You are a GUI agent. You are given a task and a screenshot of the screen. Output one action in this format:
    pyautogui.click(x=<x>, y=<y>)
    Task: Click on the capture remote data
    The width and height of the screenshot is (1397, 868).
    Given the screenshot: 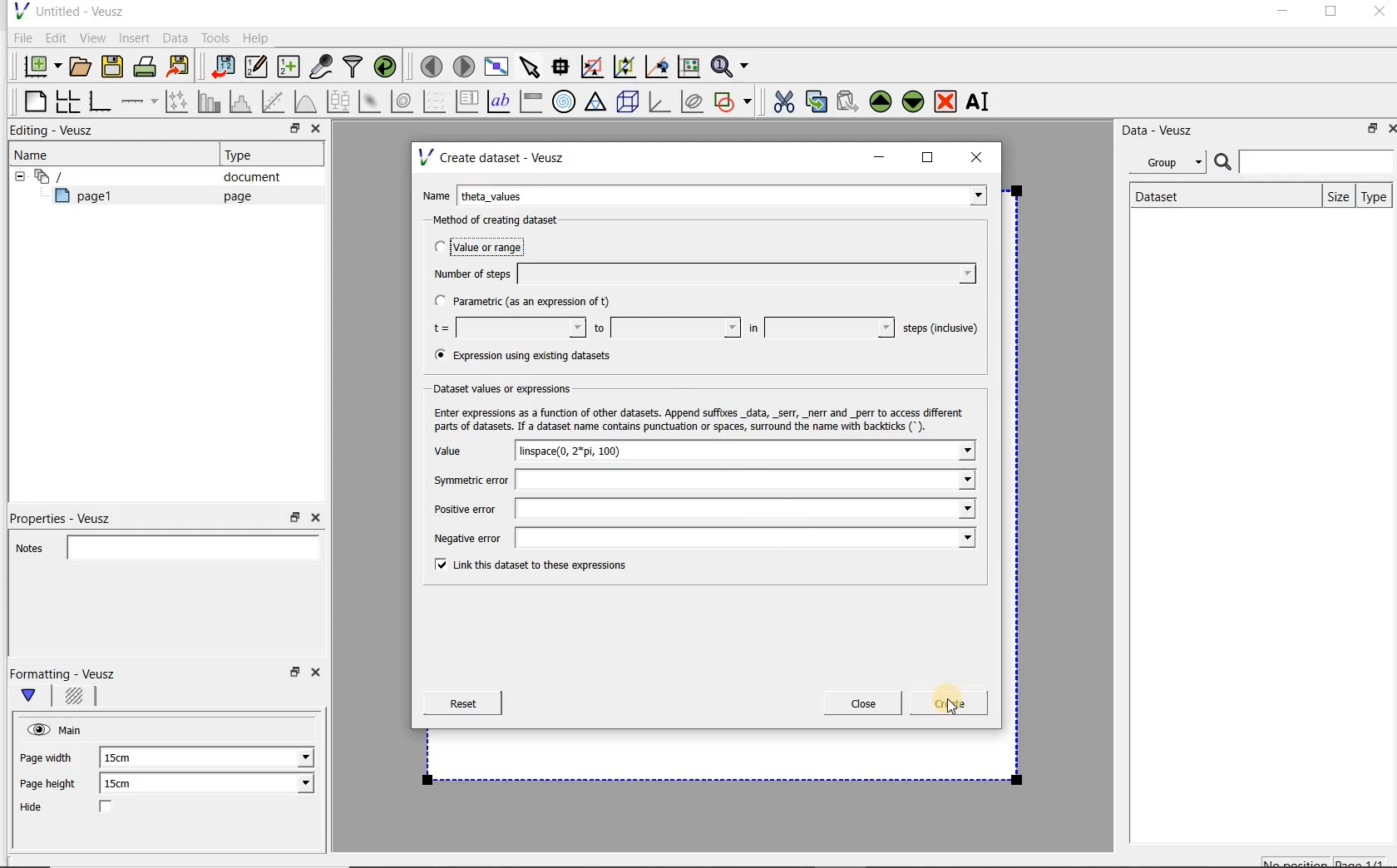 What is the action you would take?
    pyautogui.click(x=322, y=69)
    